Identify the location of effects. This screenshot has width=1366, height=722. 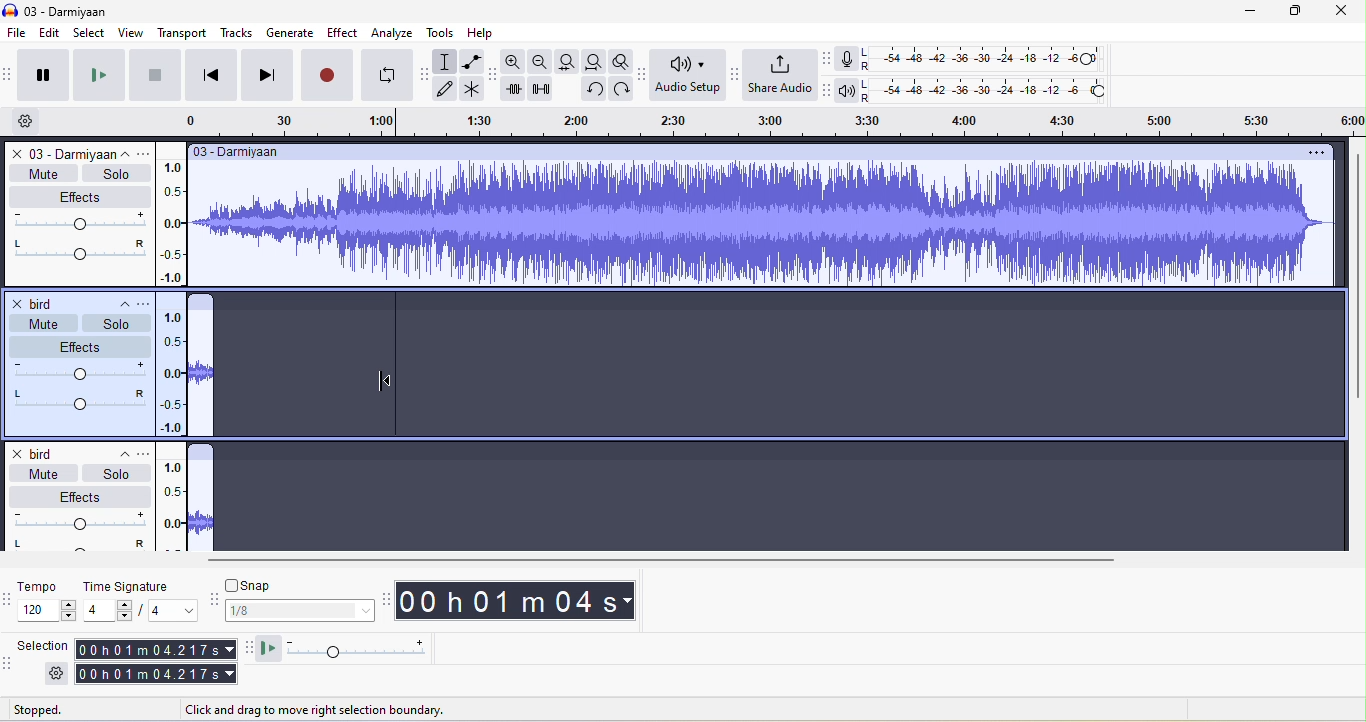
(81, 496).